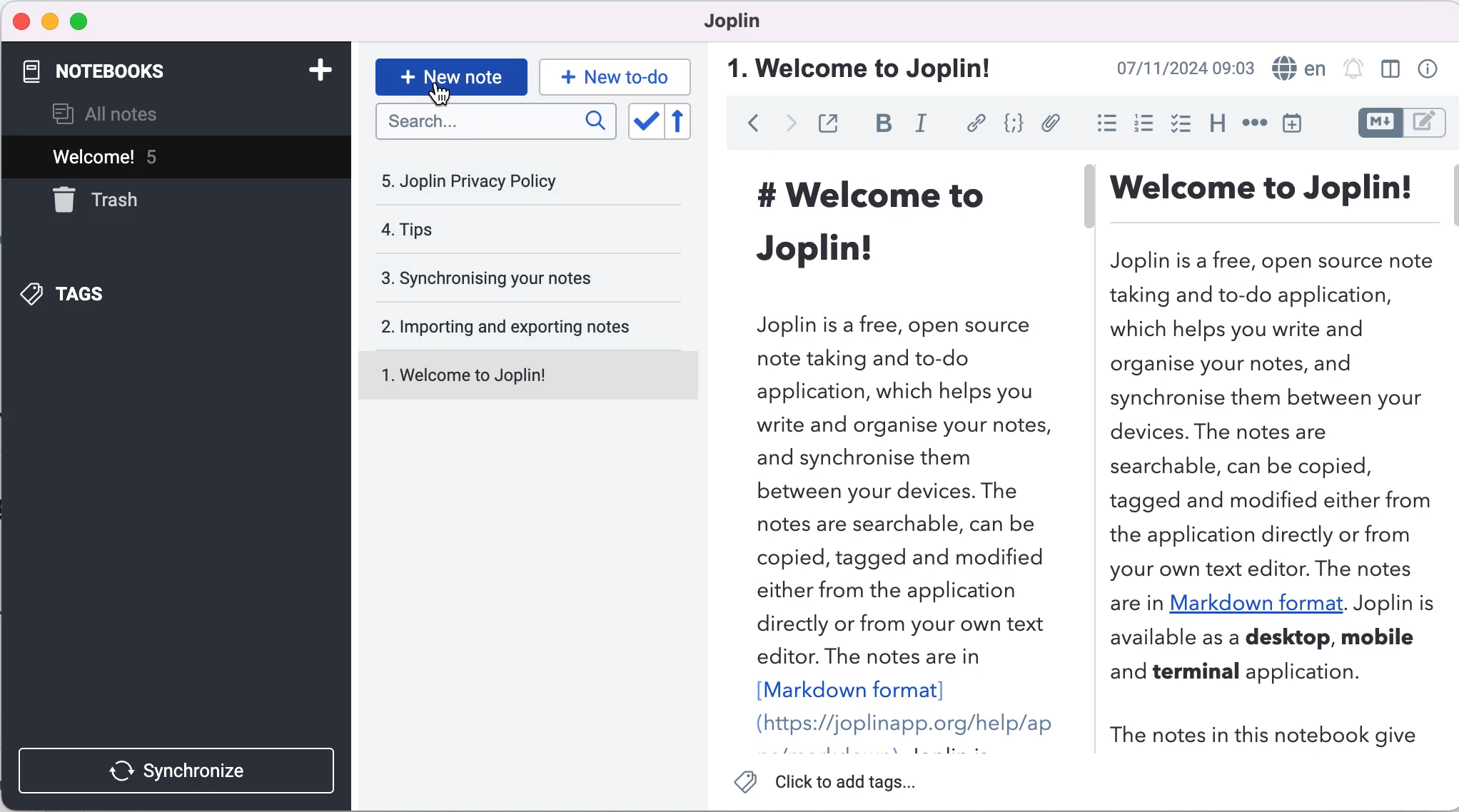  What do you see at coordinates (1432, 68) in the screenshot?
I see `note properties` at bounding box center [1432, 68].